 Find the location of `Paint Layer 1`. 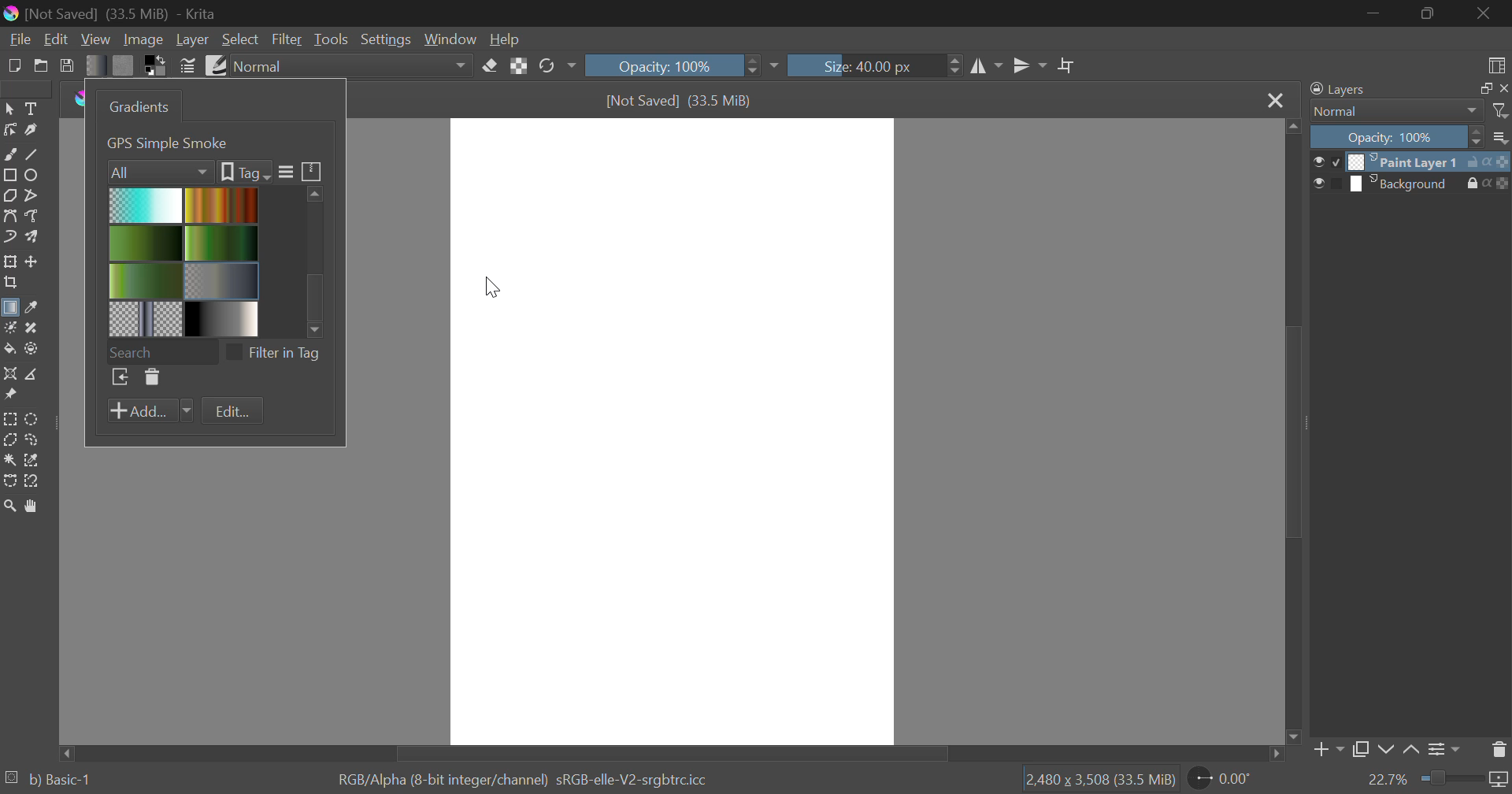

Paint Layer 1 is located at coordinates (1405, 161).